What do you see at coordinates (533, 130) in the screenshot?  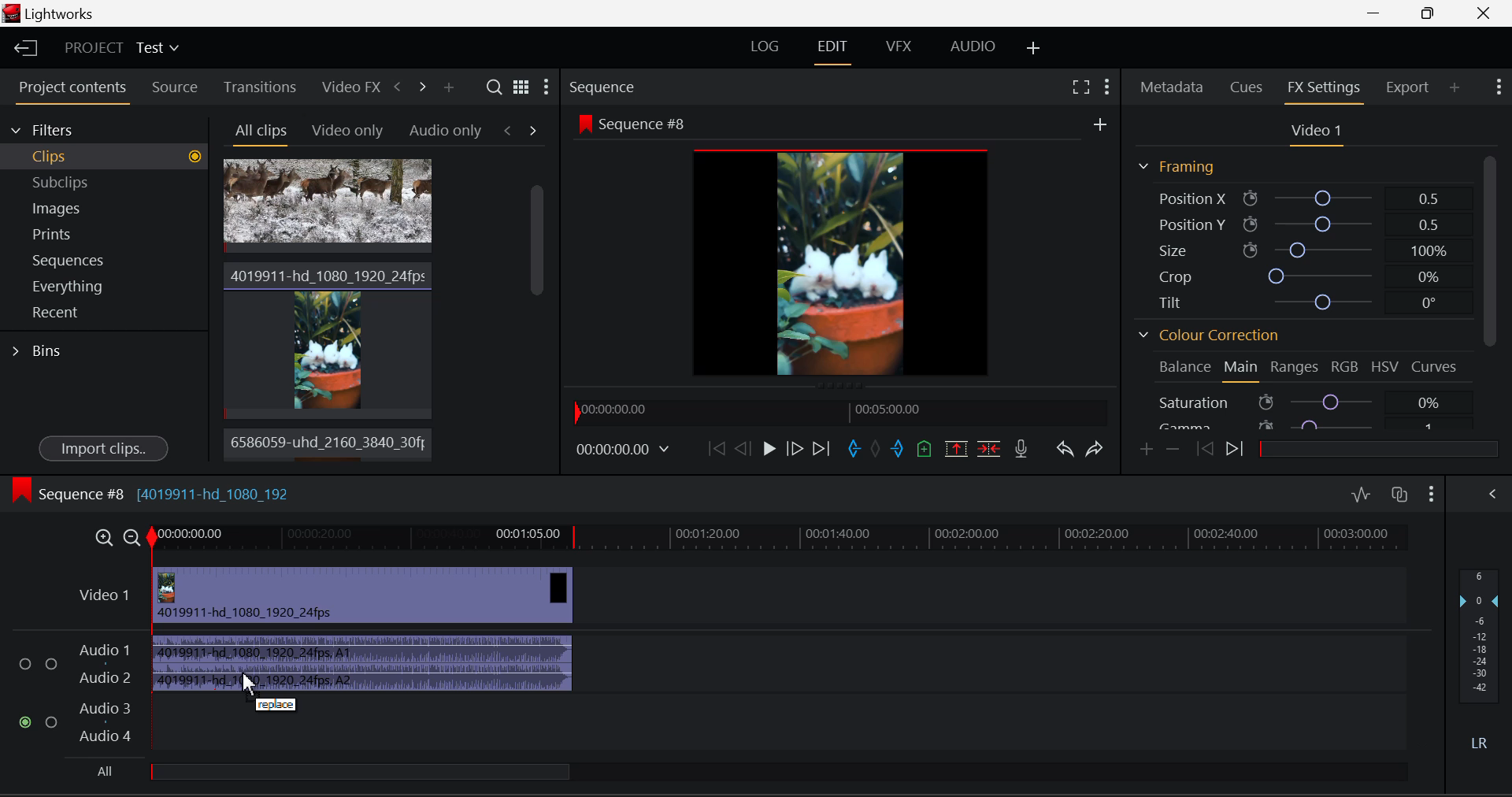 I see `Next Tab` at bounding box center [533, 130].